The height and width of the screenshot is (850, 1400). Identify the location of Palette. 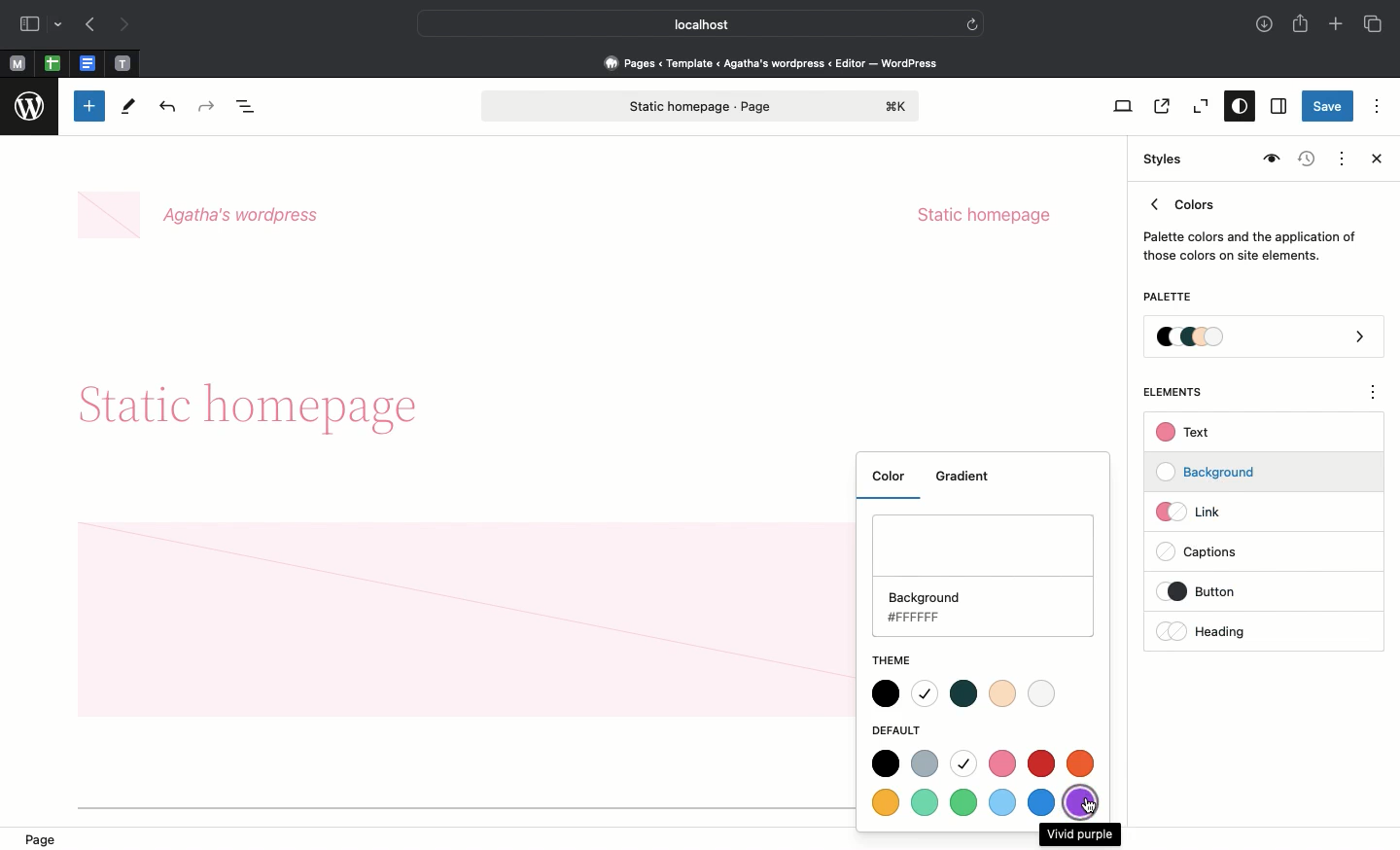
(1167, 299).